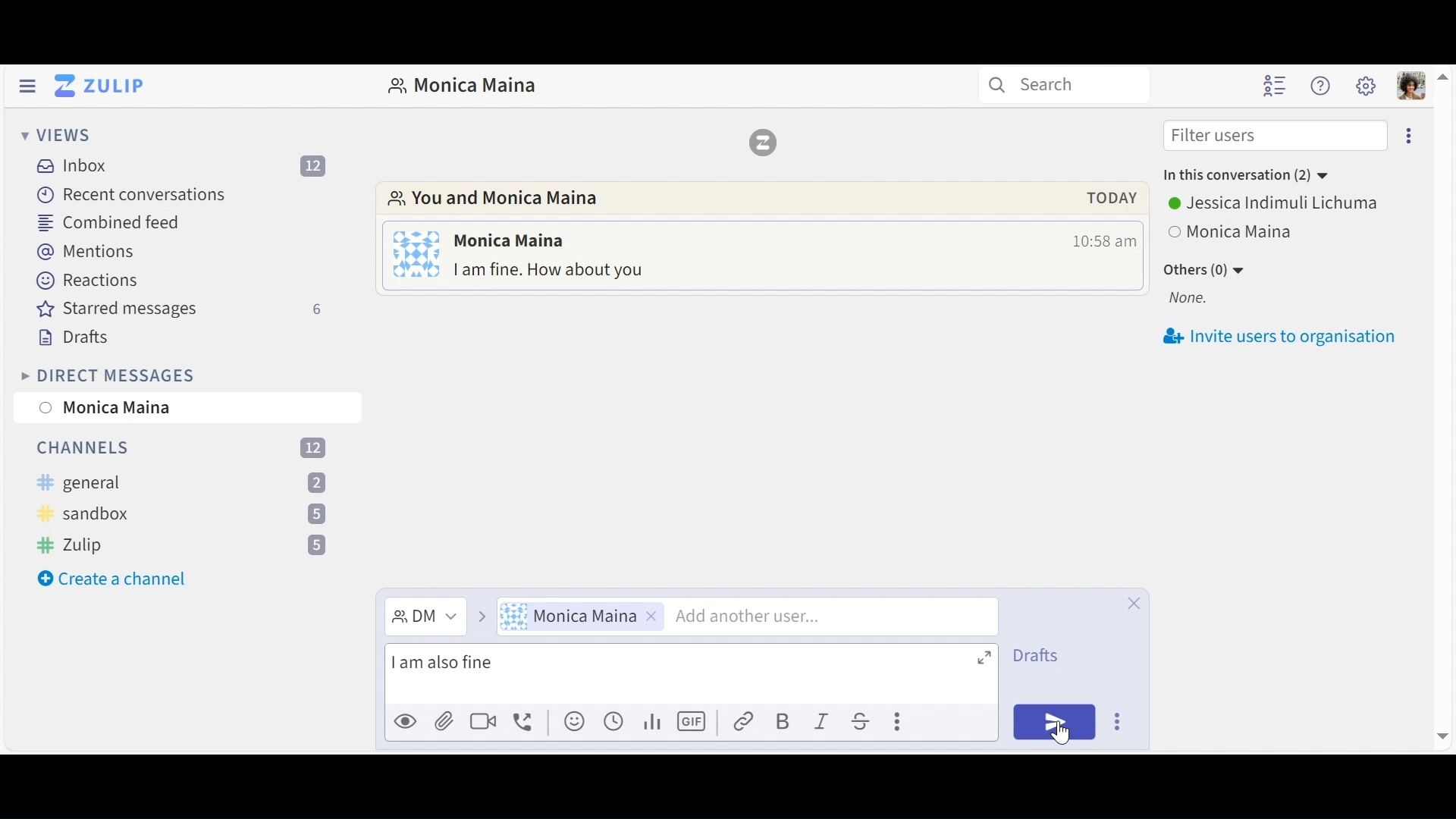 The width and height of the screenshot is (1456, 819). I want to click on Inbox, so click(188, 168).